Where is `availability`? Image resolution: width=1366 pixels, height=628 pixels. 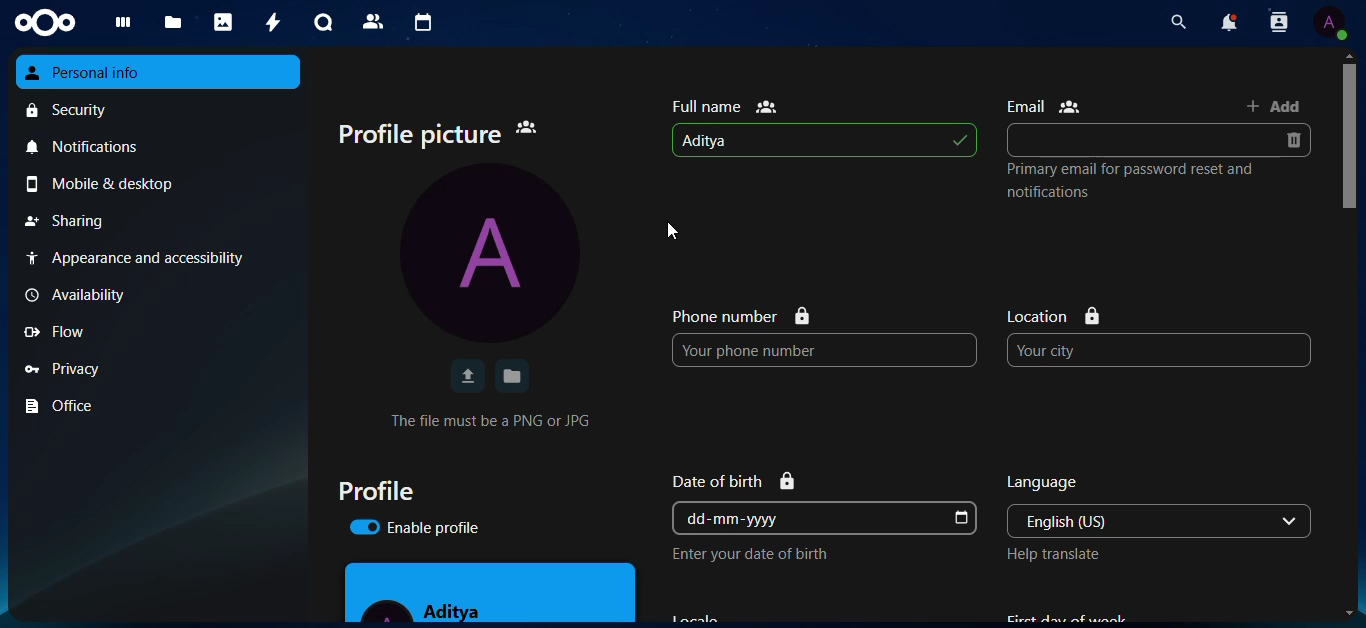
availability is located at coordinates (155, 295).